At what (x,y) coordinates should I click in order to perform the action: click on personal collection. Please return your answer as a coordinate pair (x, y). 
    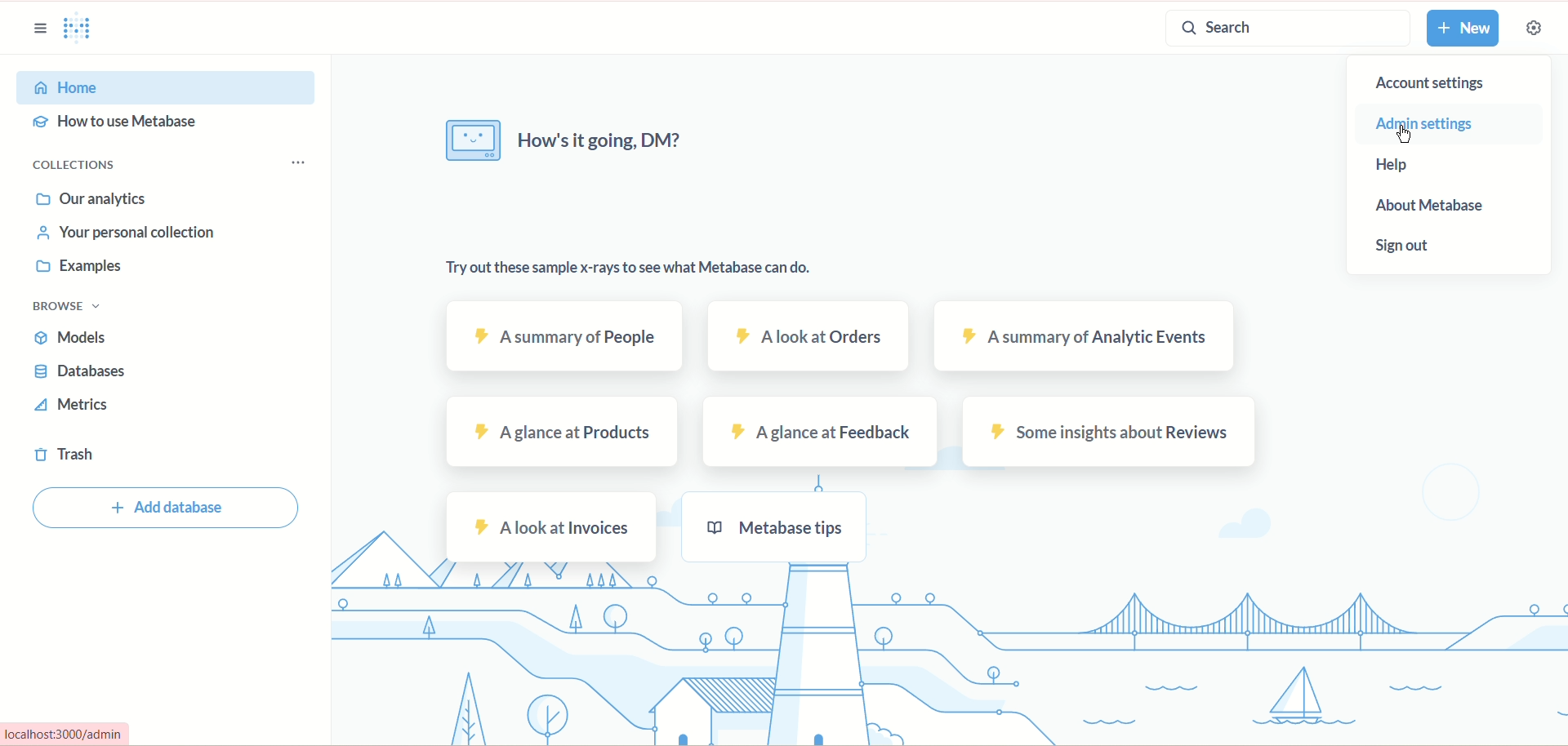
    Looking at the image, I should click on (122, 233).